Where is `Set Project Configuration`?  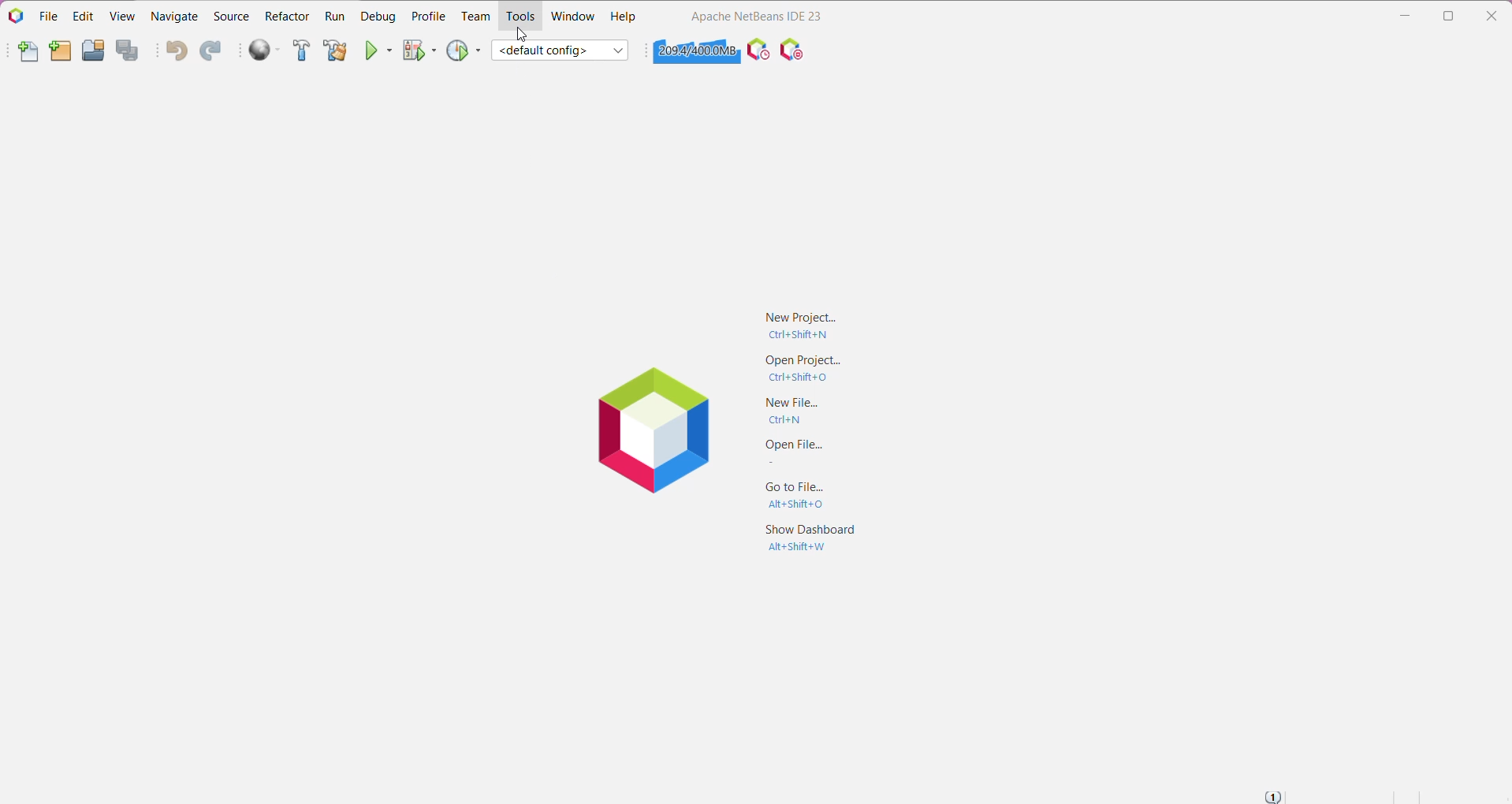 Set Project Configuration is located at coordinates (561, 50).